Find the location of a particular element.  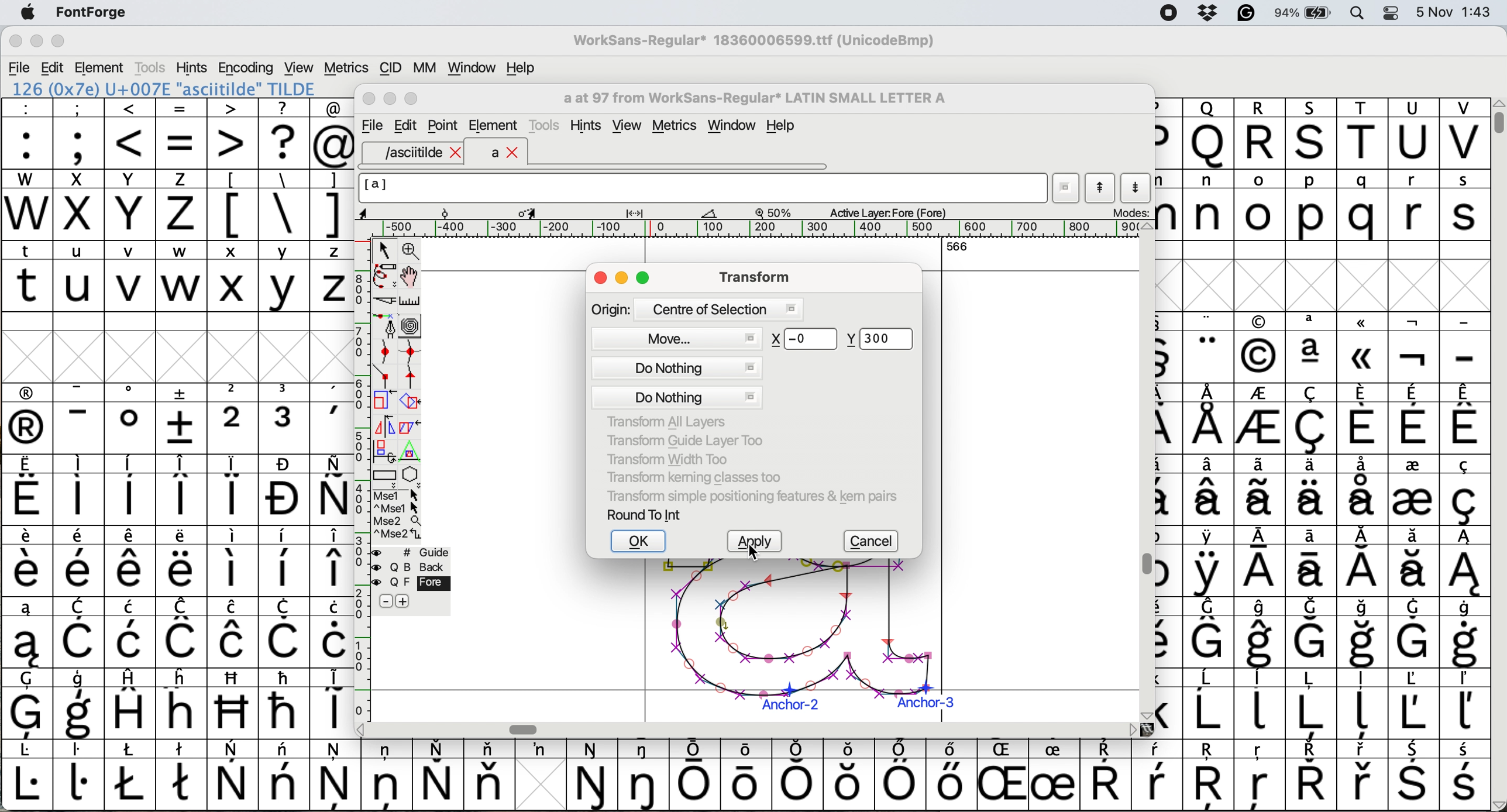

a is located at coordinates (505, 153).